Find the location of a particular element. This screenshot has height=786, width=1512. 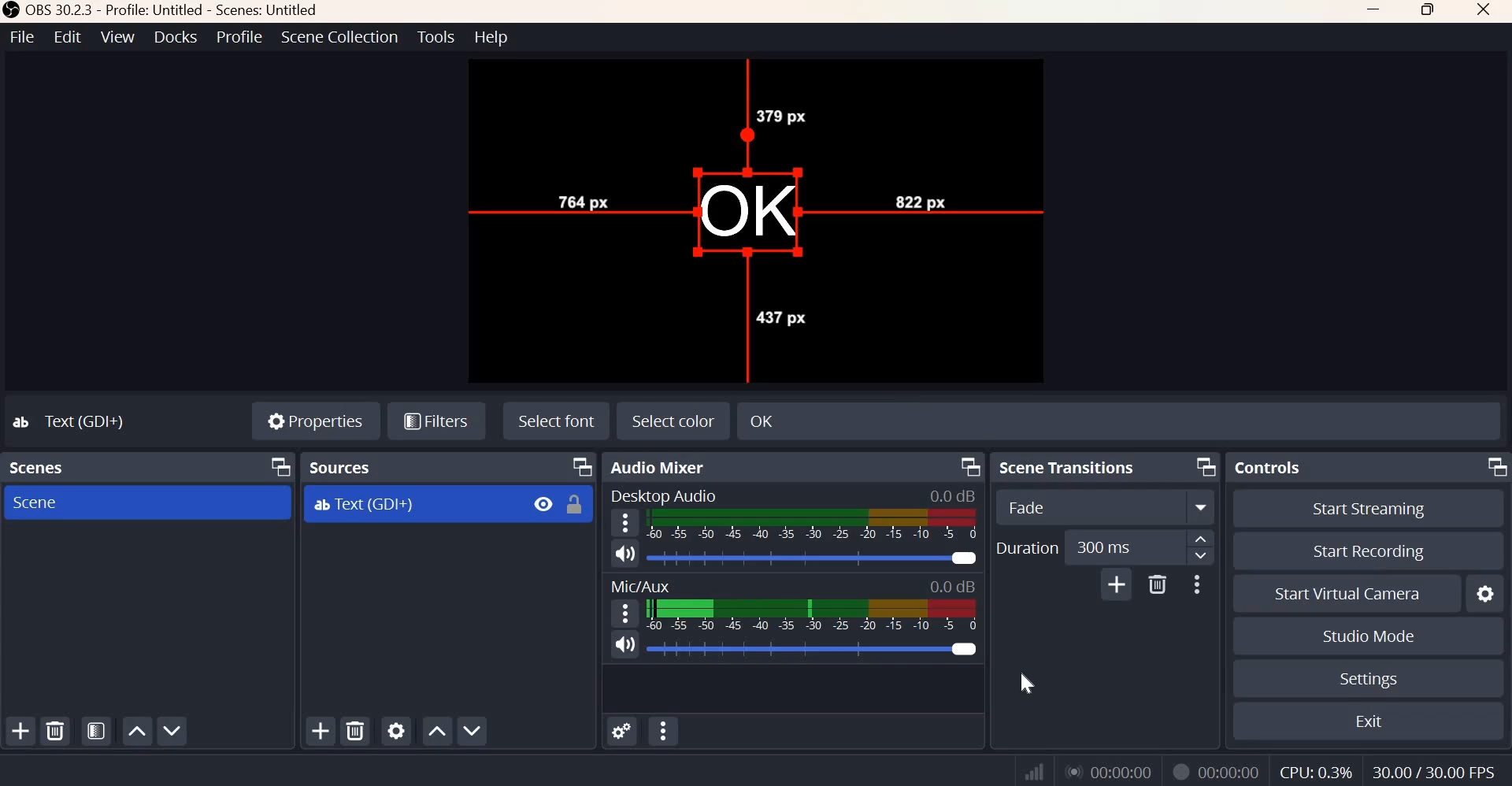

hamburger menu is located at coordinates (623, 613).